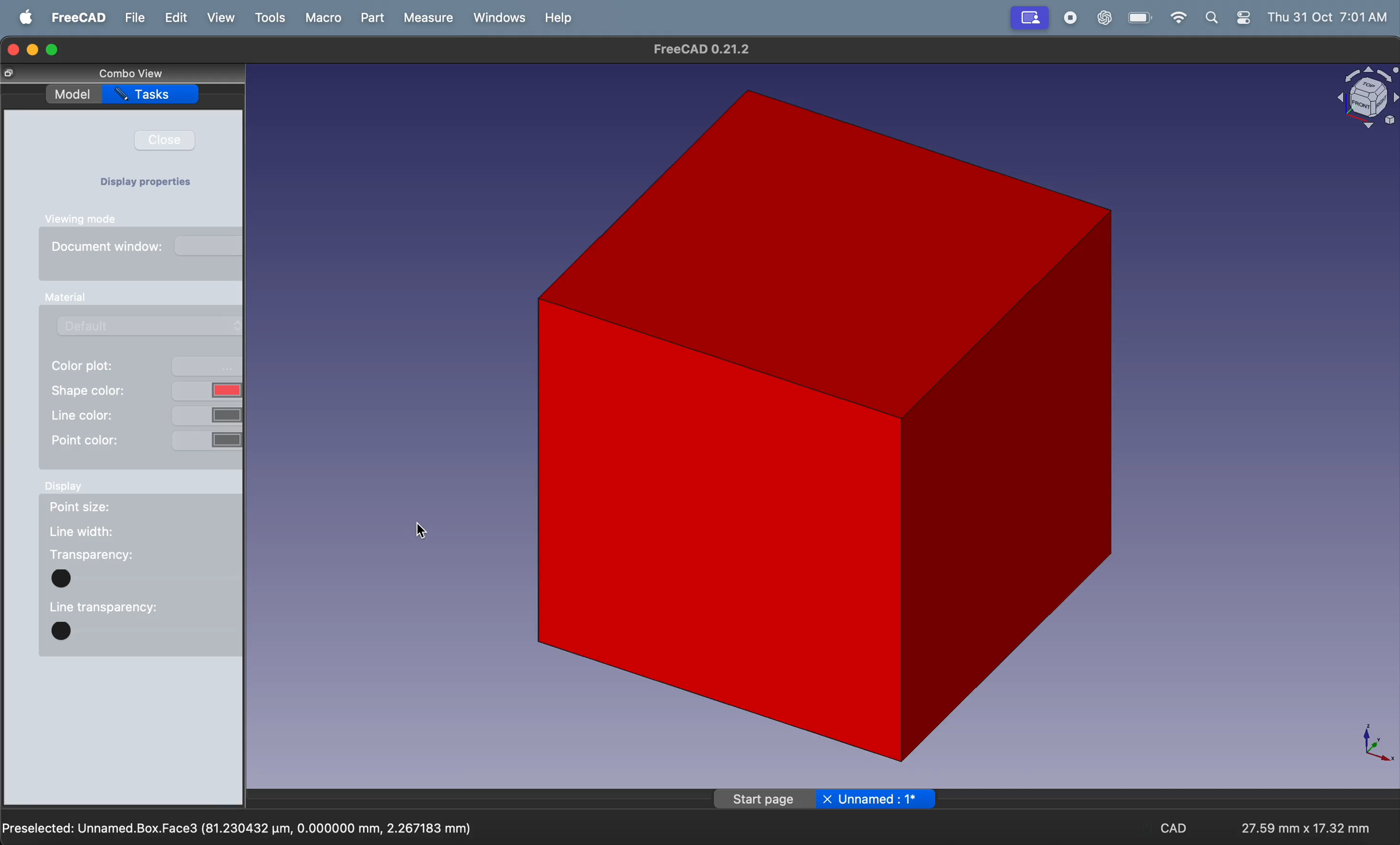 This screenshot has width=1400, height=845. What do you see at coordinates (1030, 17) in the screenshot?
I see `mirror` at bounding box center [1030, 17].